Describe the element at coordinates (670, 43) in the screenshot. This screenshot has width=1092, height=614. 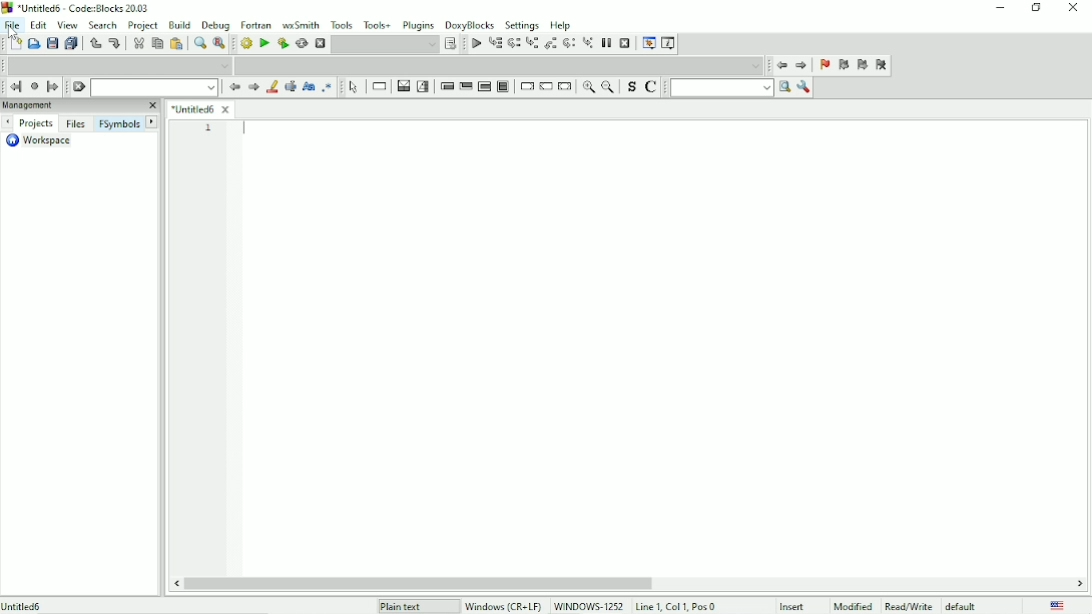
I see `Various info` at that location.